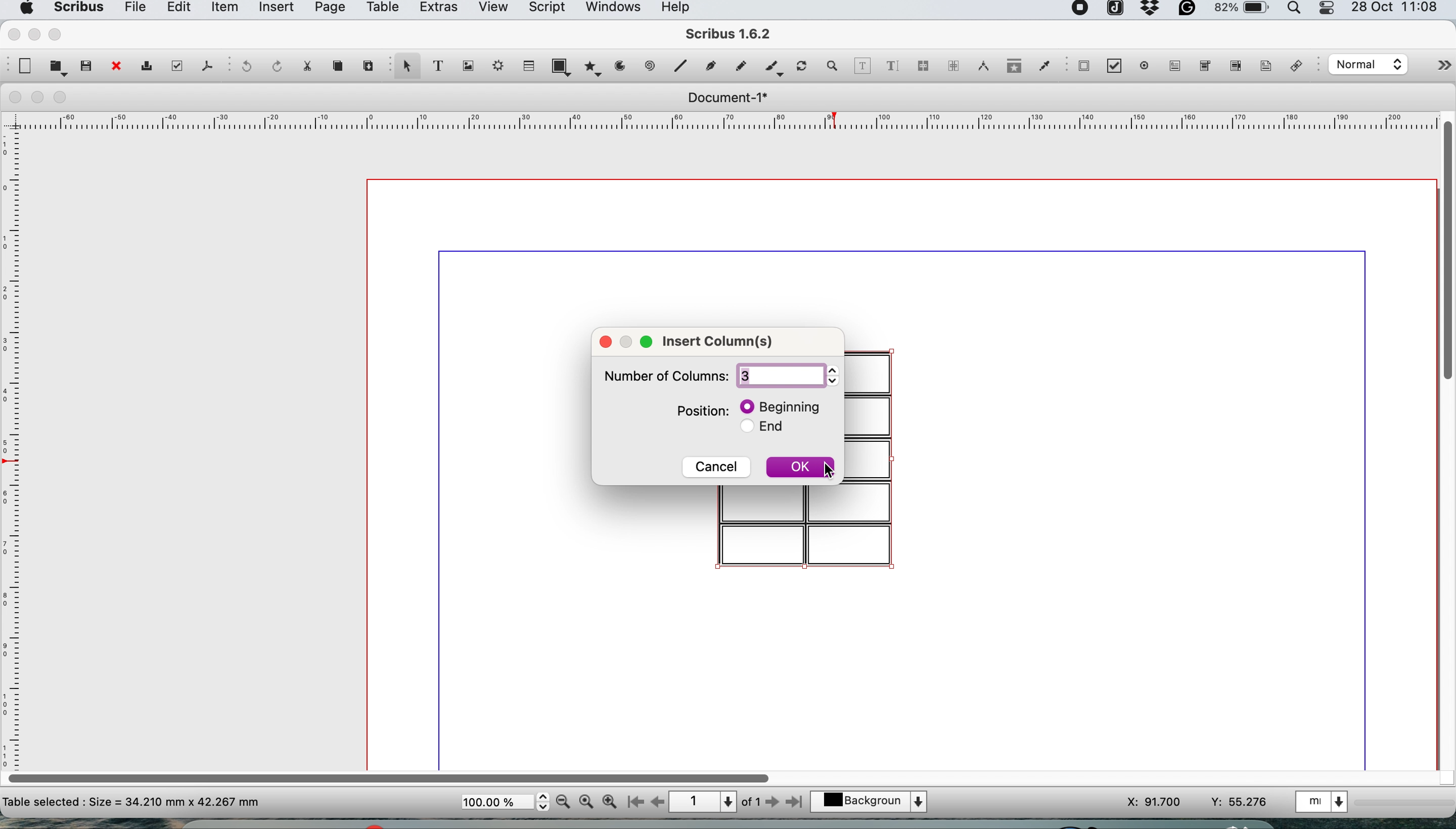 The width and height of the screenshot is (1456, 829). I want to click on scribus, so click(77, 9).